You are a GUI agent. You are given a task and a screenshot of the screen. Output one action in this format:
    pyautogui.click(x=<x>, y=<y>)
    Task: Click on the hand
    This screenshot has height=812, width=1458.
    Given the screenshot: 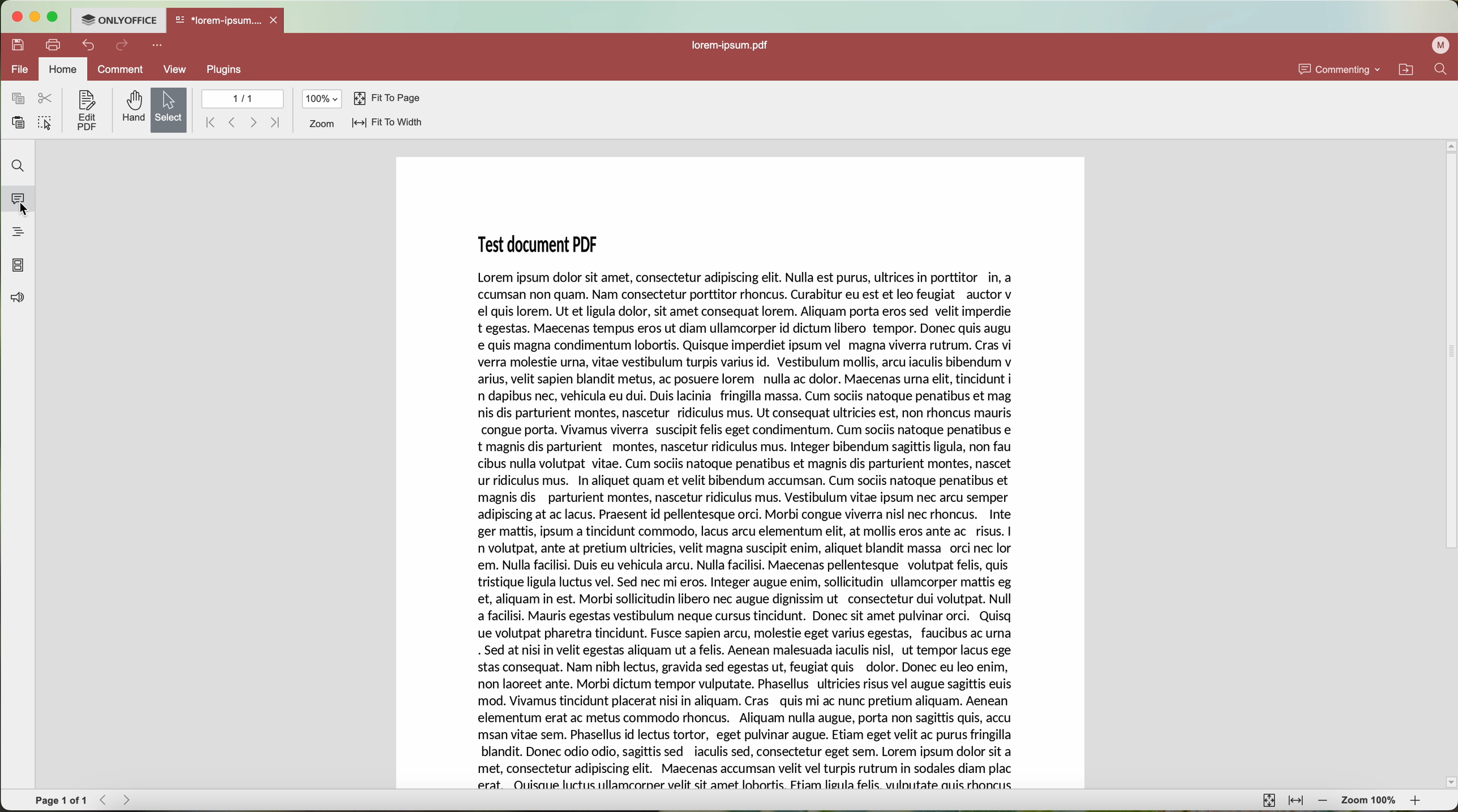 What is the action you would take?
    pyautogui.click(x=131, y=108)
    